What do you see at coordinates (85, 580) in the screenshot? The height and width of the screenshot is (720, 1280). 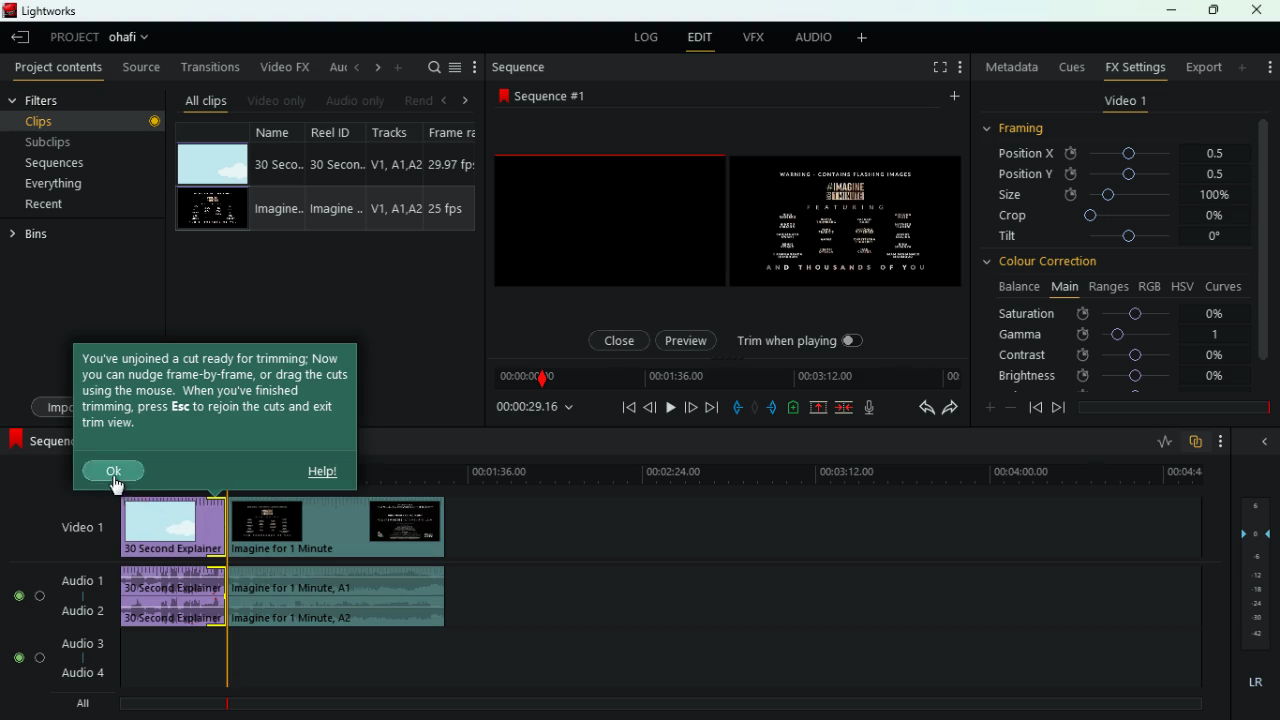 I see `audio 1` at bounding box center [85, 580].